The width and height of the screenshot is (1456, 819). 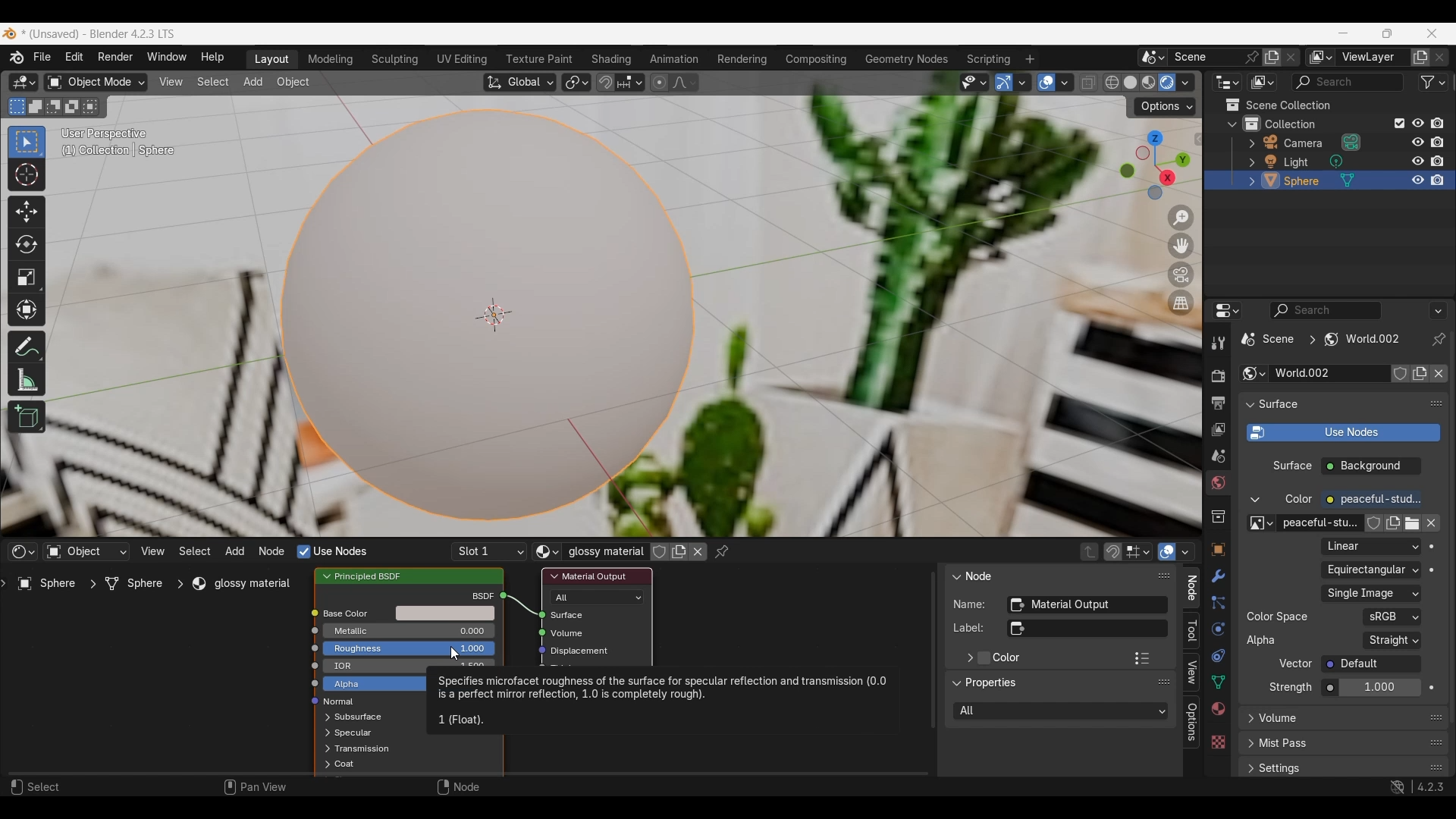 I want to click on Collection properties, so click(x=1217, y=516).